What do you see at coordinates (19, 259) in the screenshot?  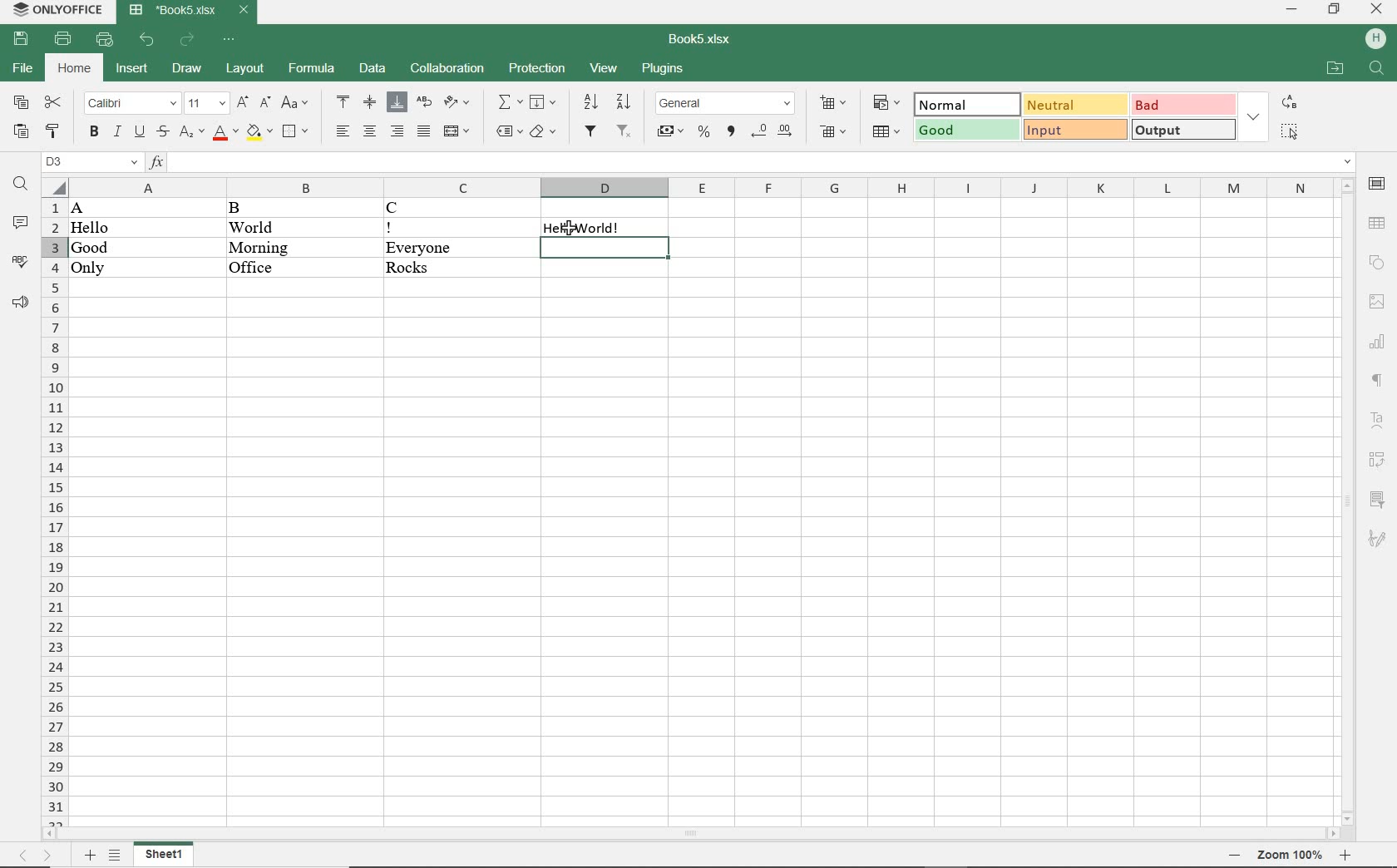 I see `SPELL CHECKING` at bounding box center [19, 259].